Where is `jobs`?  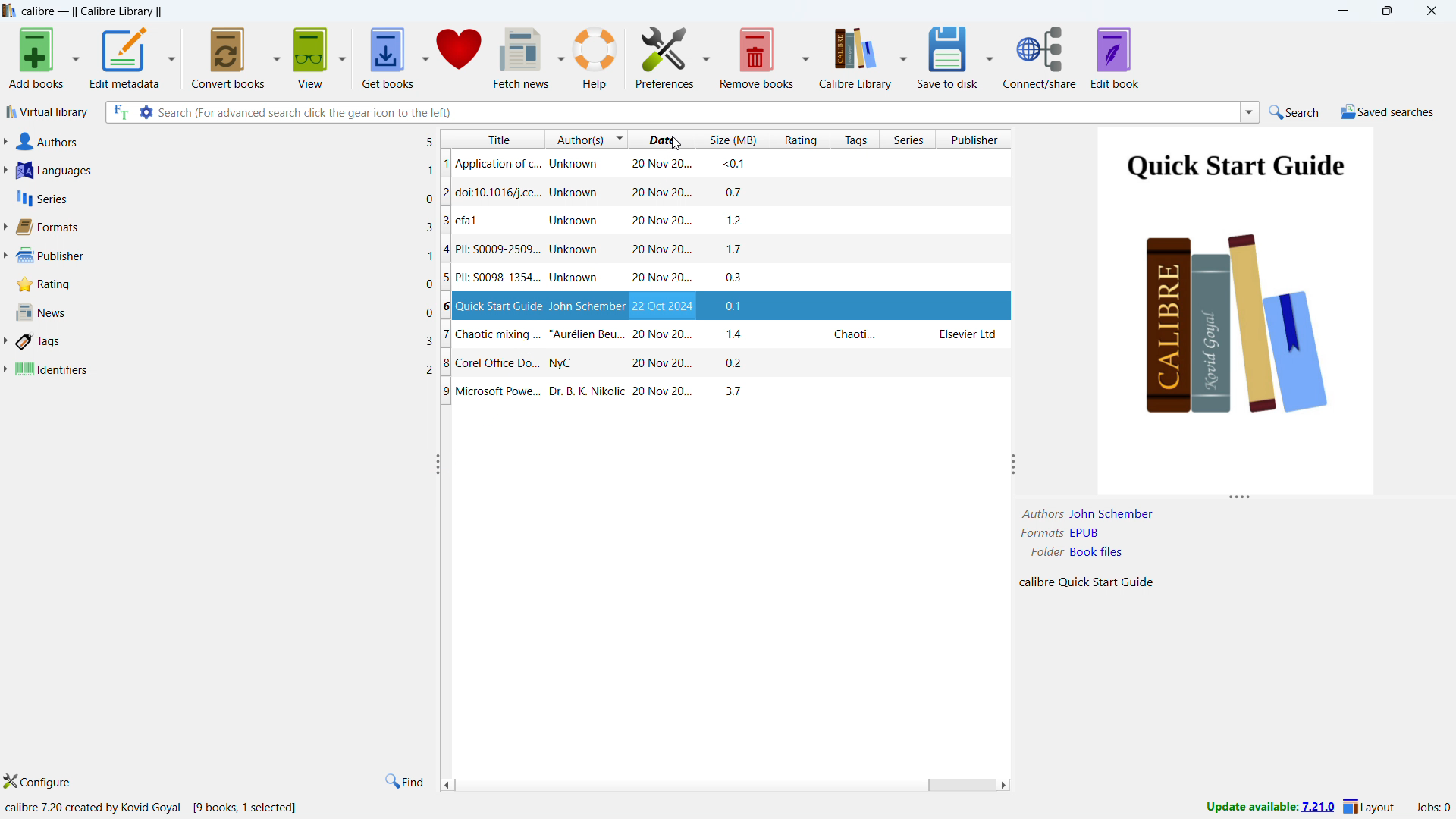 jobs is located at coordinates (1434, 808).